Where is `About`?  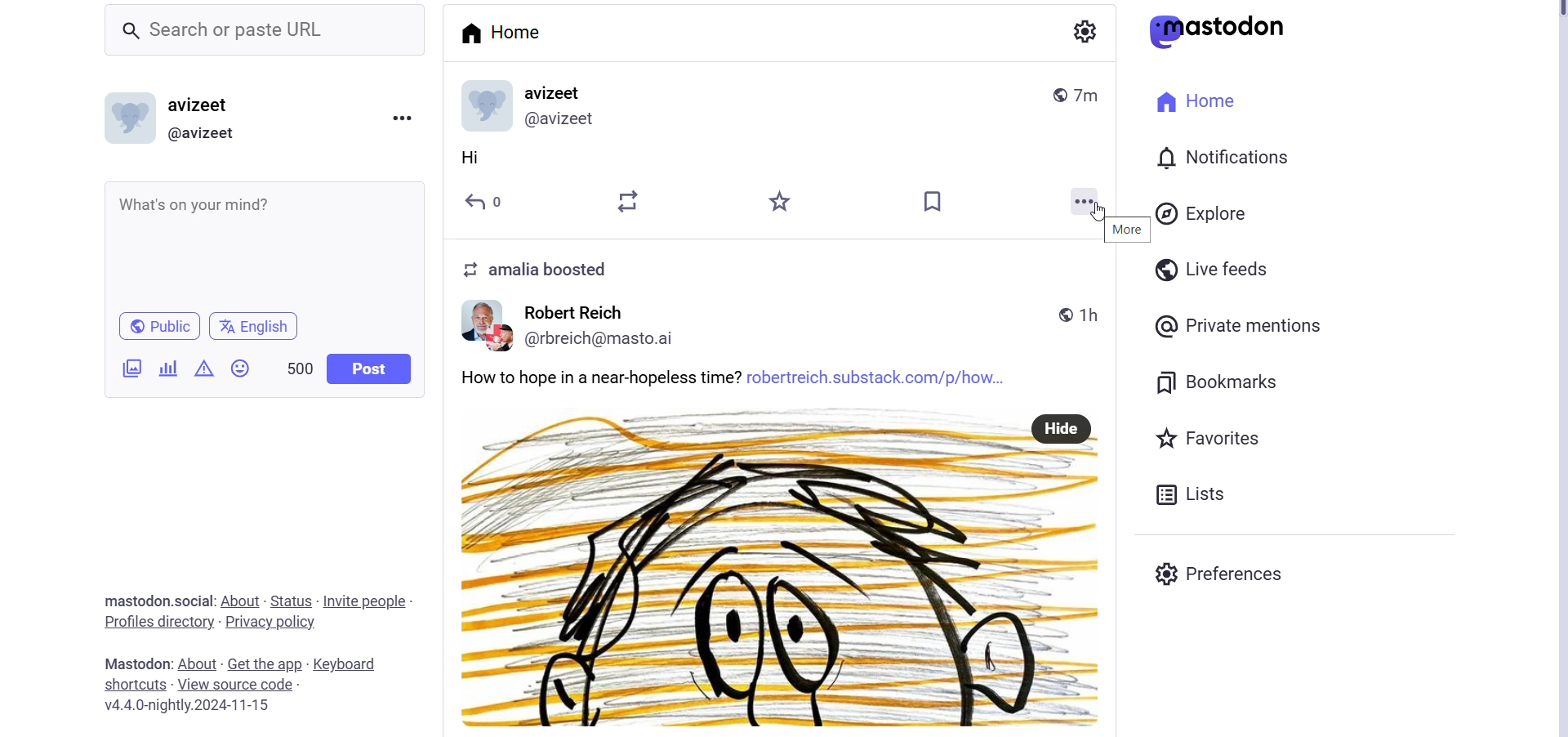 About is located at coordinates (242, 600).